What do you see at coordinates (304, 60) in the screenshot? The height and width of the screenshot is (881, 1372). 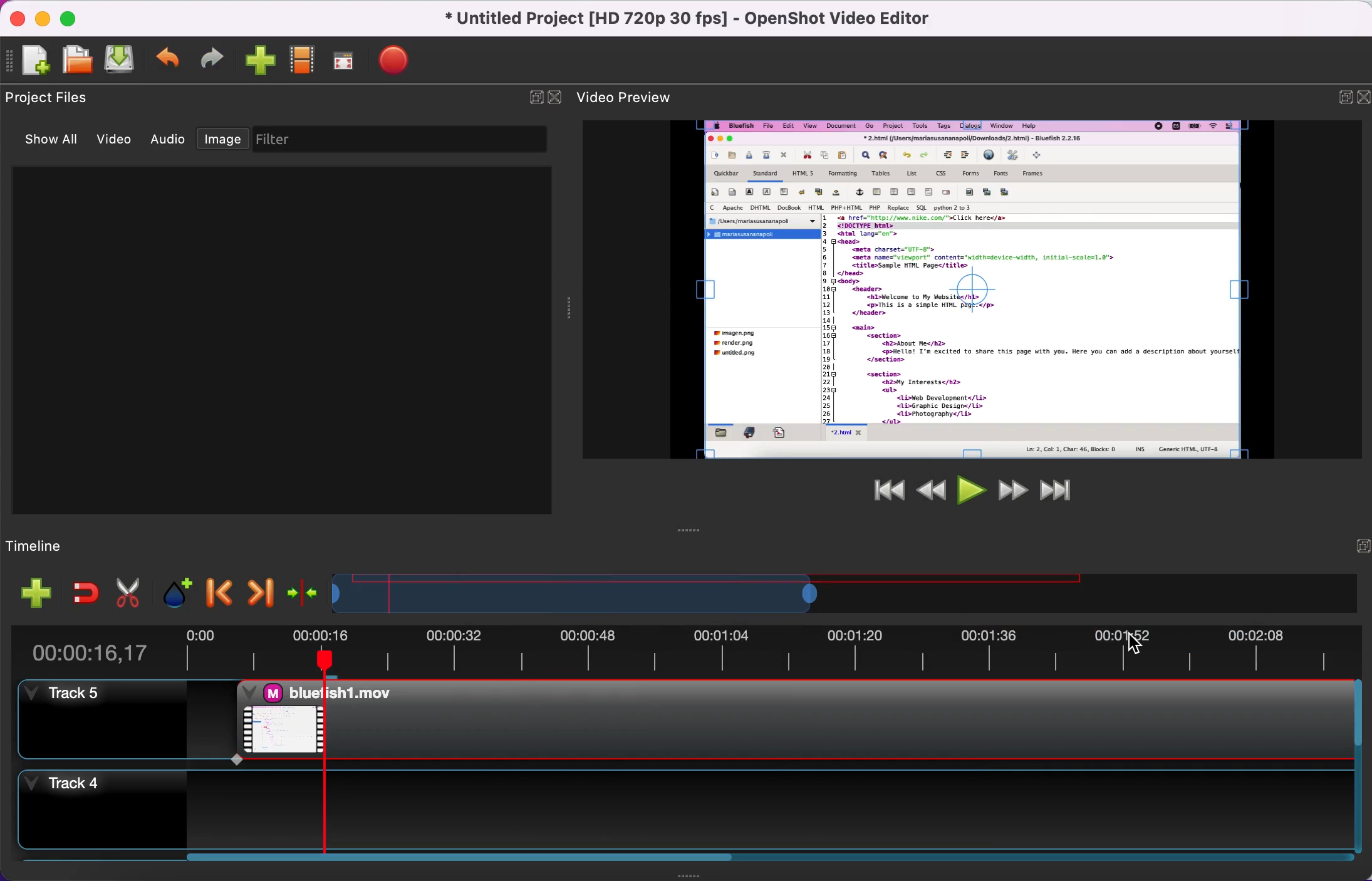 I see `choose profile` at bounding box center [304, 60].